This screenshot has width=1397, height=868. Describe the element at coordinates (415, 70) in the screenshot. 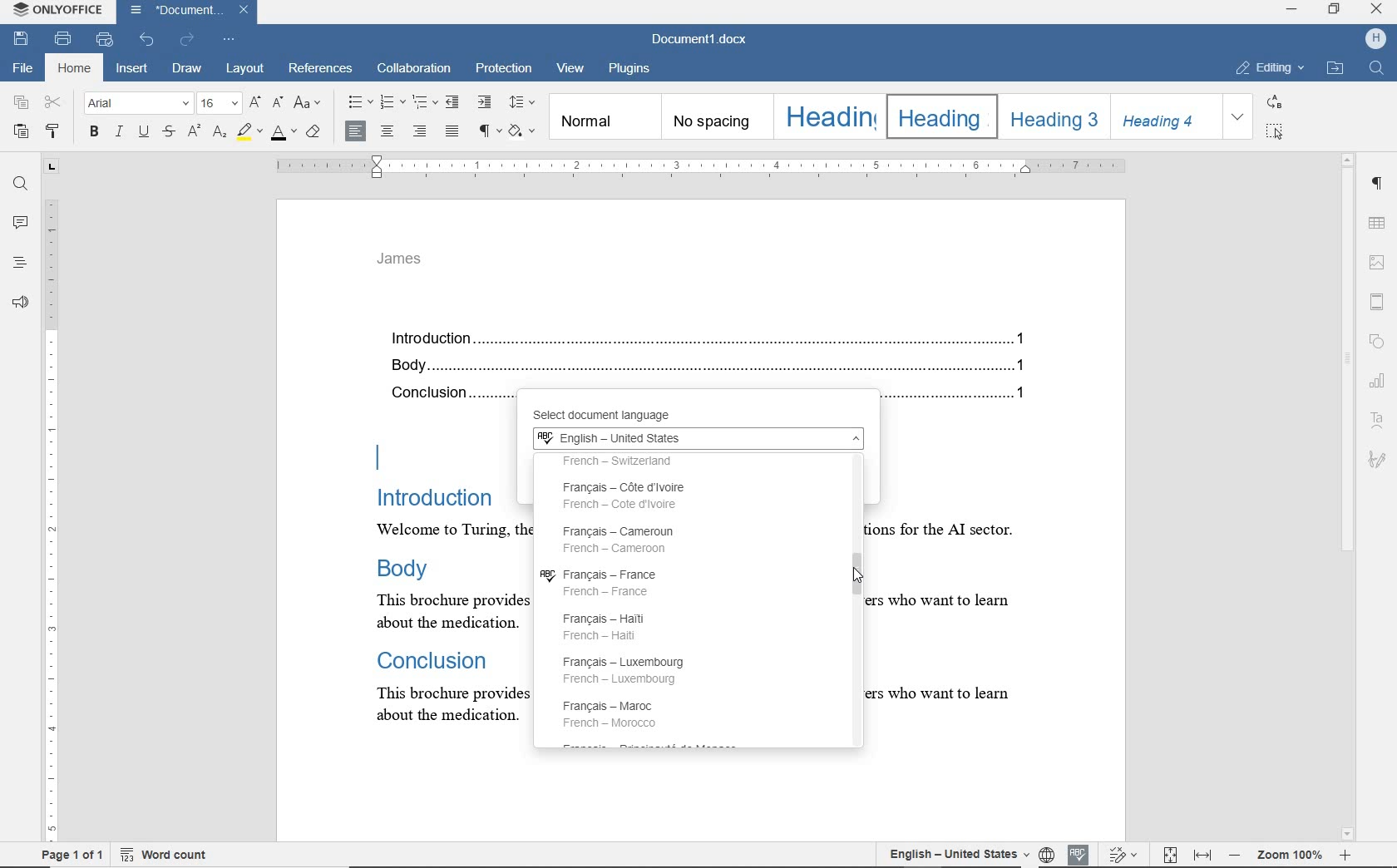

I see `collaboration` at that location.